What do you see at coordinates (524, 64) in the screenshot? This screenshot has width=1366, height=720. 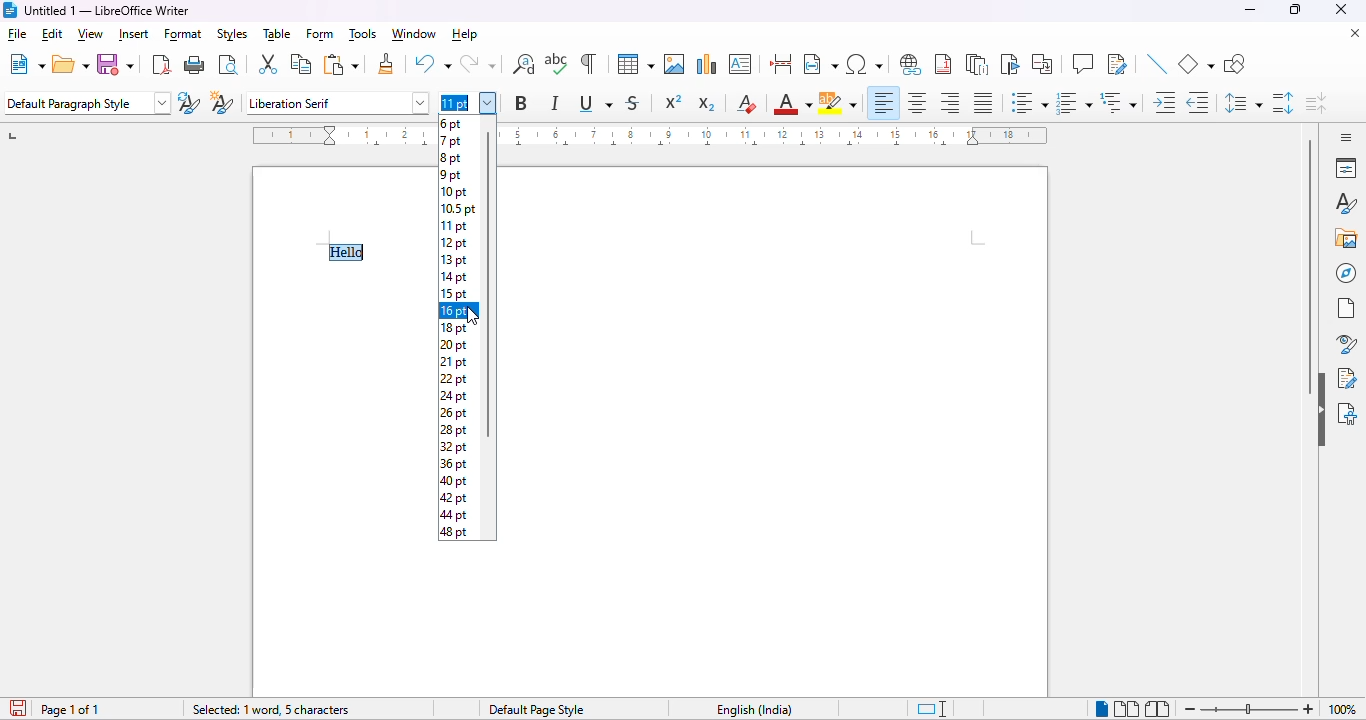 I see `find and replace` at bounding box center [524, 64].